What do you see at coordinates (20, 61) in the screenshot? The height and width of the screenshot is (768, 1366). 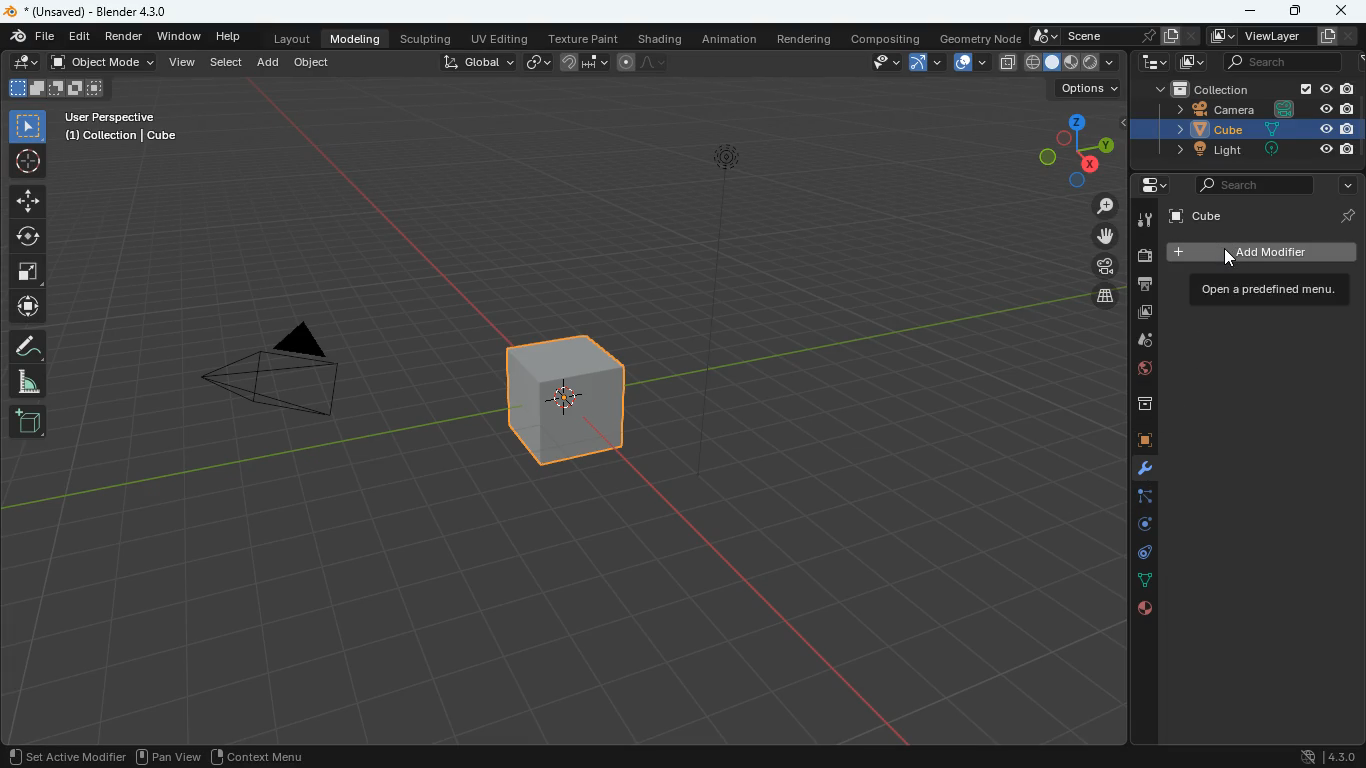 I see `edit` at bounding box center [20, 61].